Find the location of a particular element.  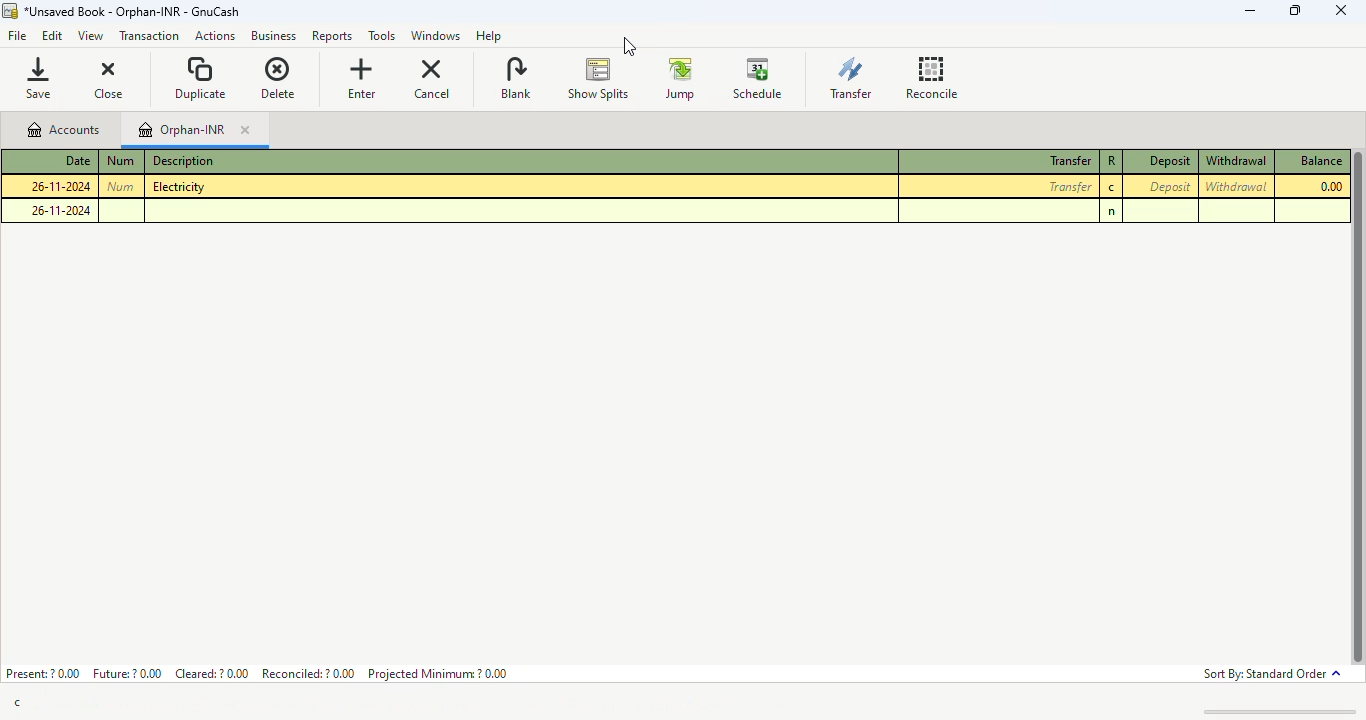

save is located at coordinates (43, 77).